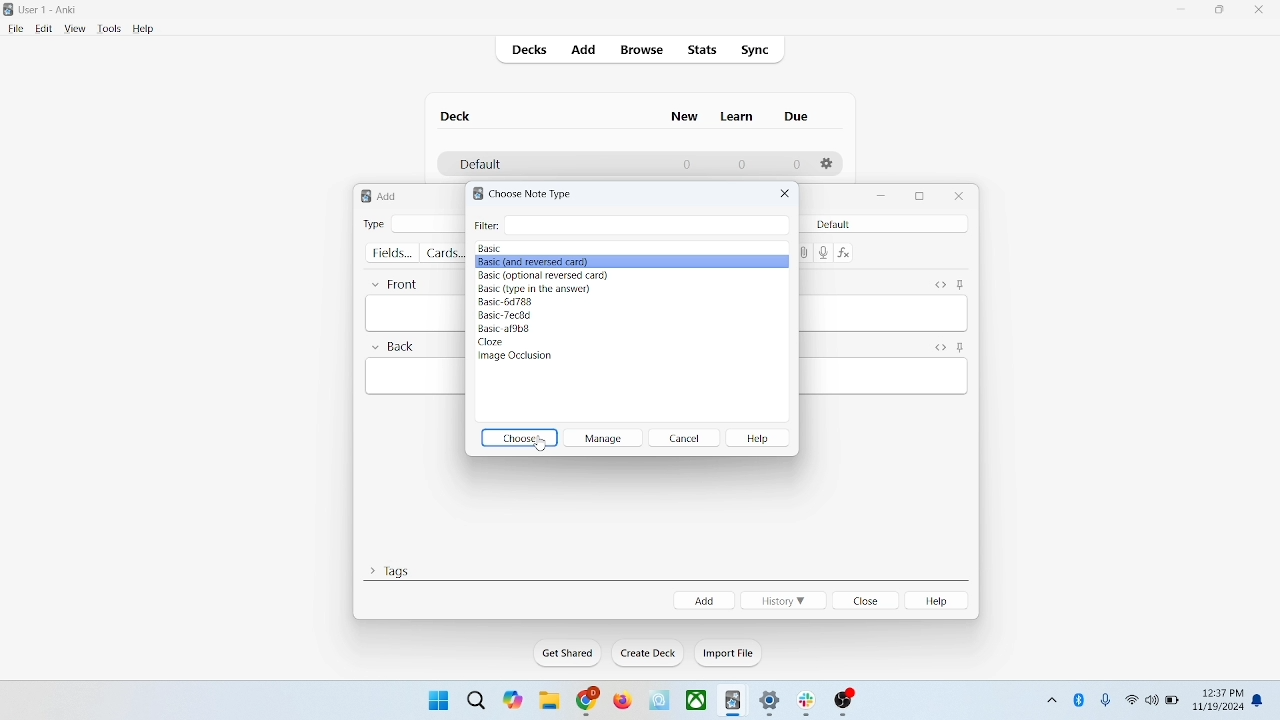  What do you see at coordinates (477, 699) in the screenshot?
I see `search` at bounding box center [477, 699].